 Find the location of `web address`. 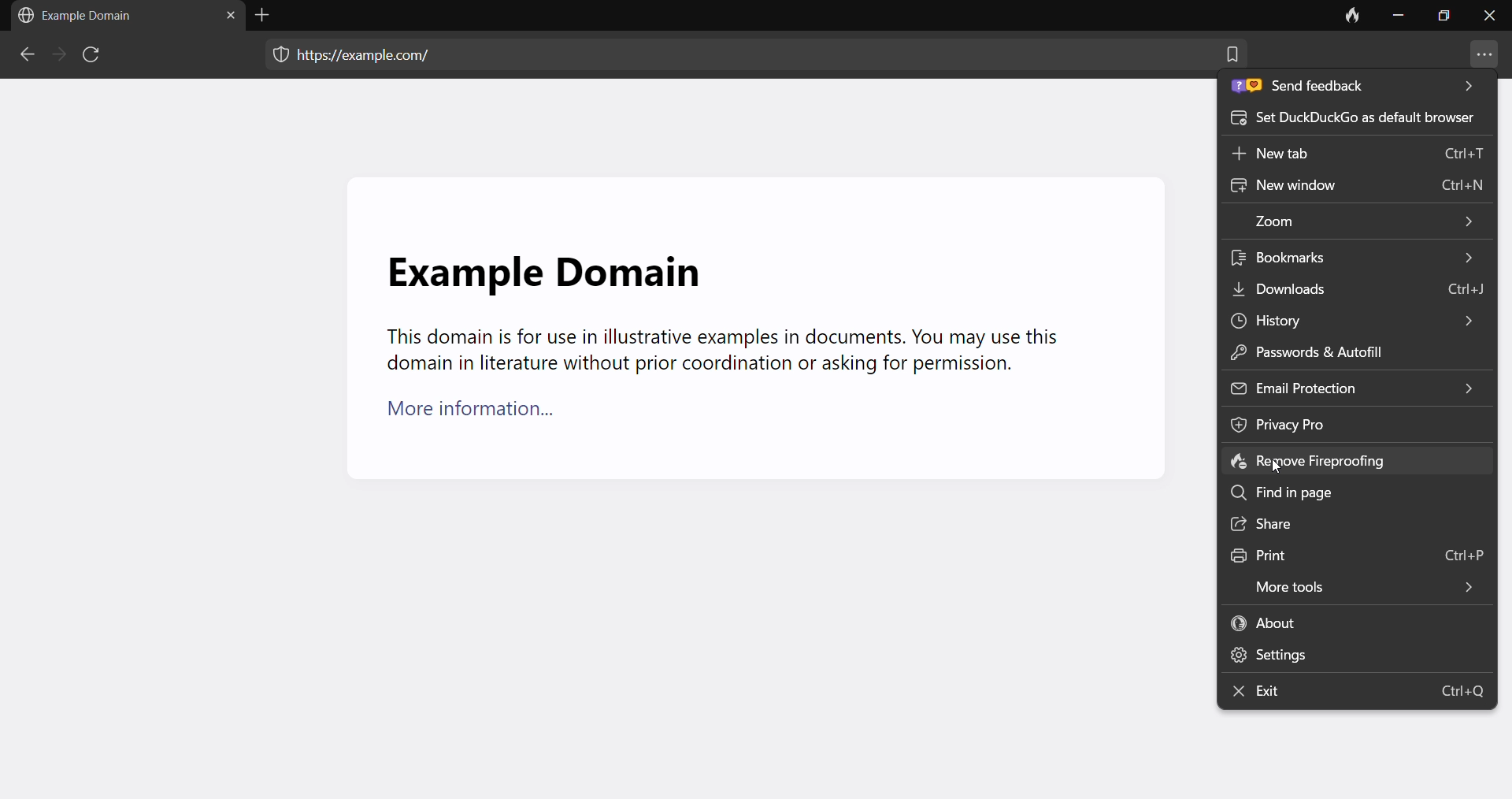

web address is located at coordinates (372, 53).